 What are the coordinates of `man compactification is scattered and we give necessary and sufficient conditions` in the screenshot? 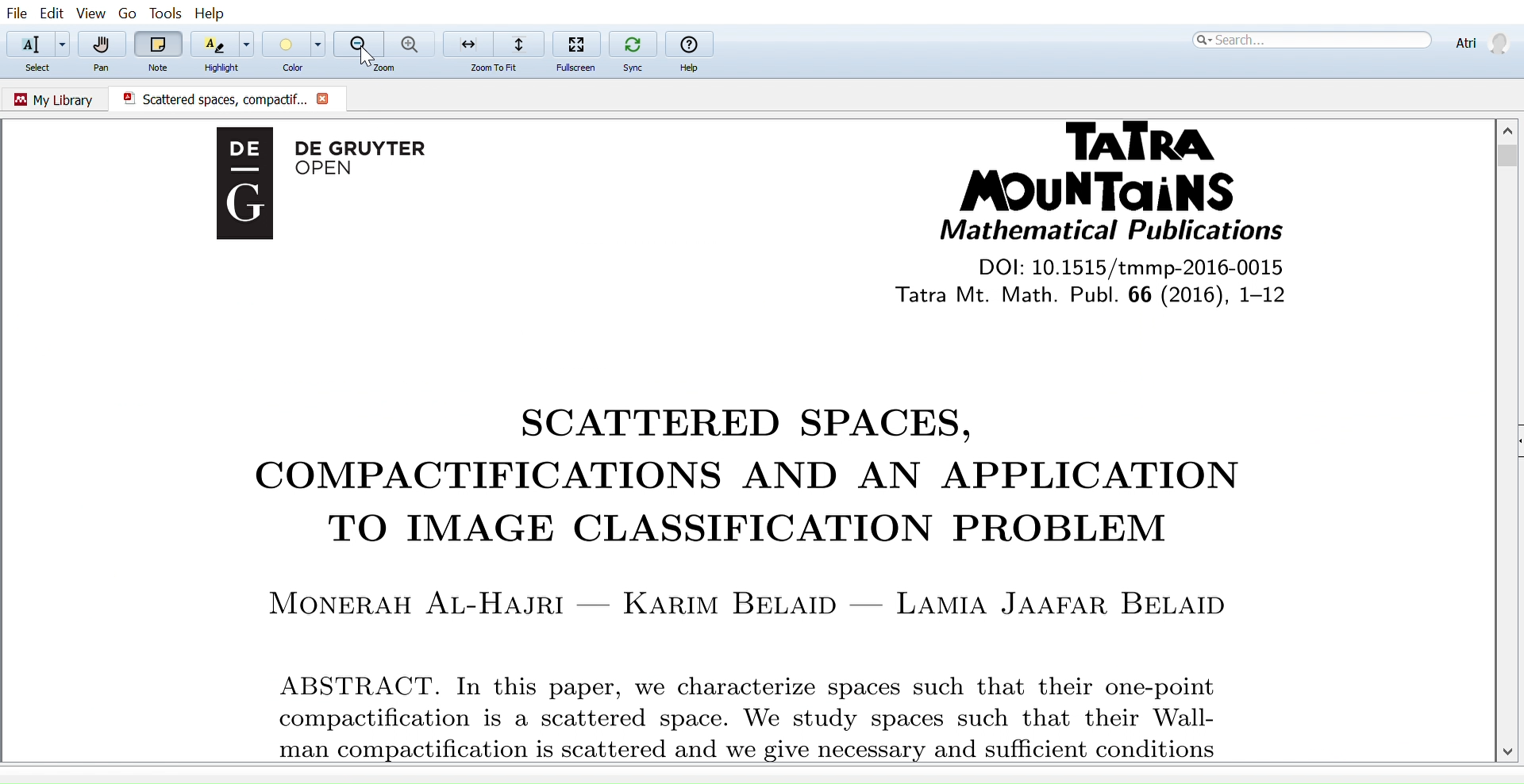 It's located at (745, 749).